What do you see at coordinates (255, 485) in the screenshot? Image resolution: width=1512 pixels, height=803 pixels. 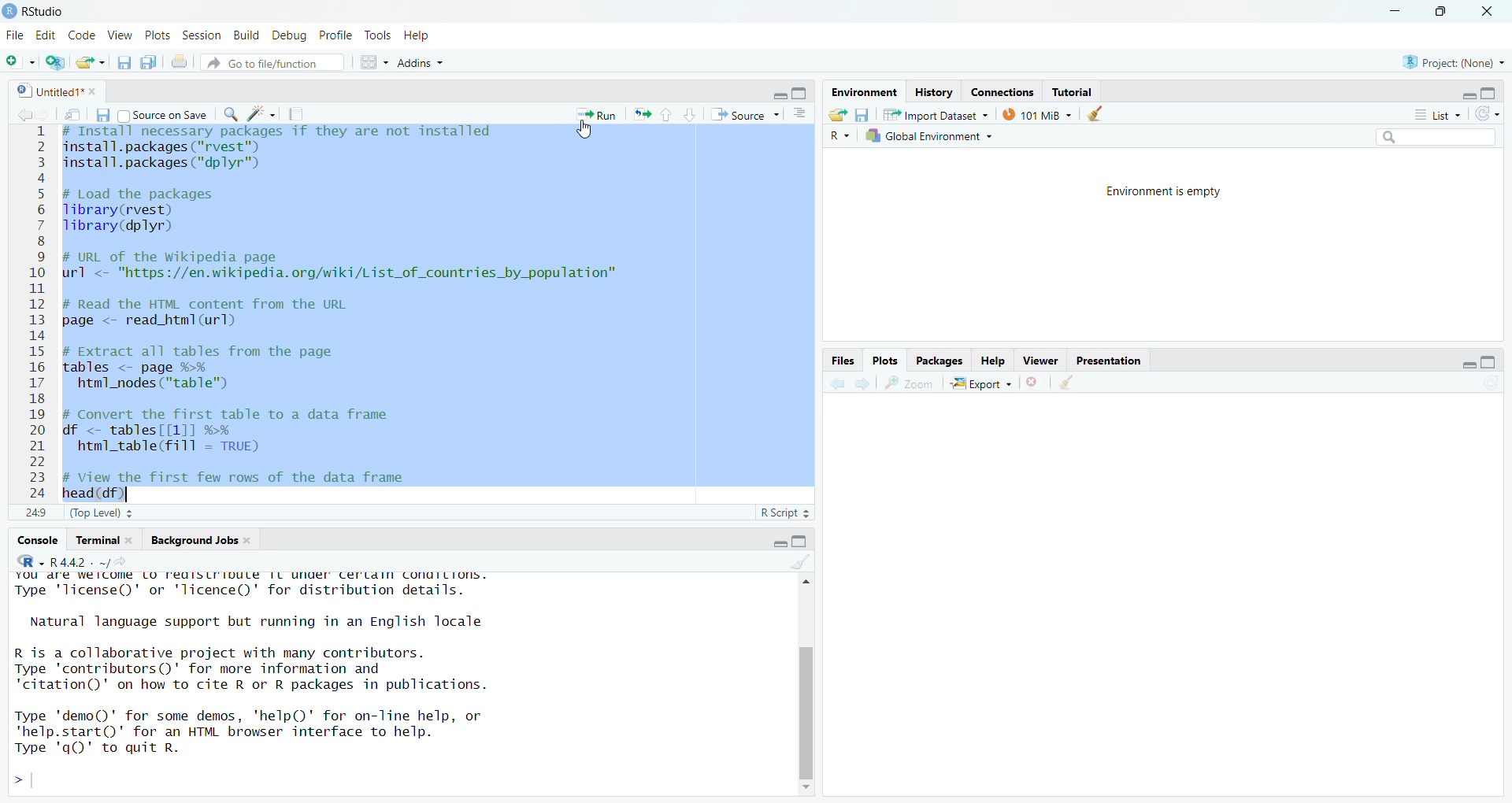 I see `# View the first few rows of the data frame head(df) ` at bounding box center [255, 485].